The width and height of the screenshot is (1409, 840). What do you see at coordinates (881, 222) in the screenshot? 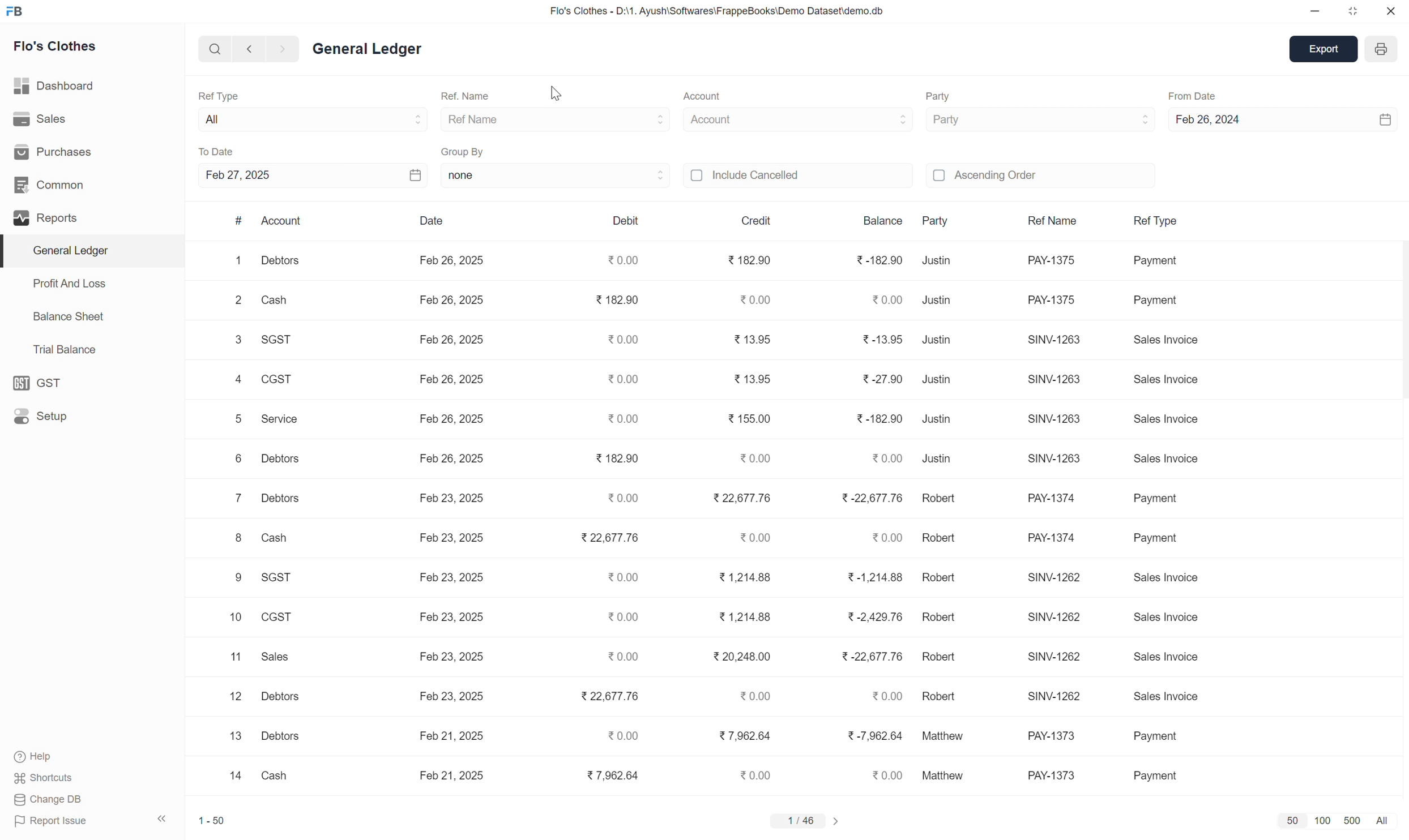
I see `balance` at bounding box center [881, 222].